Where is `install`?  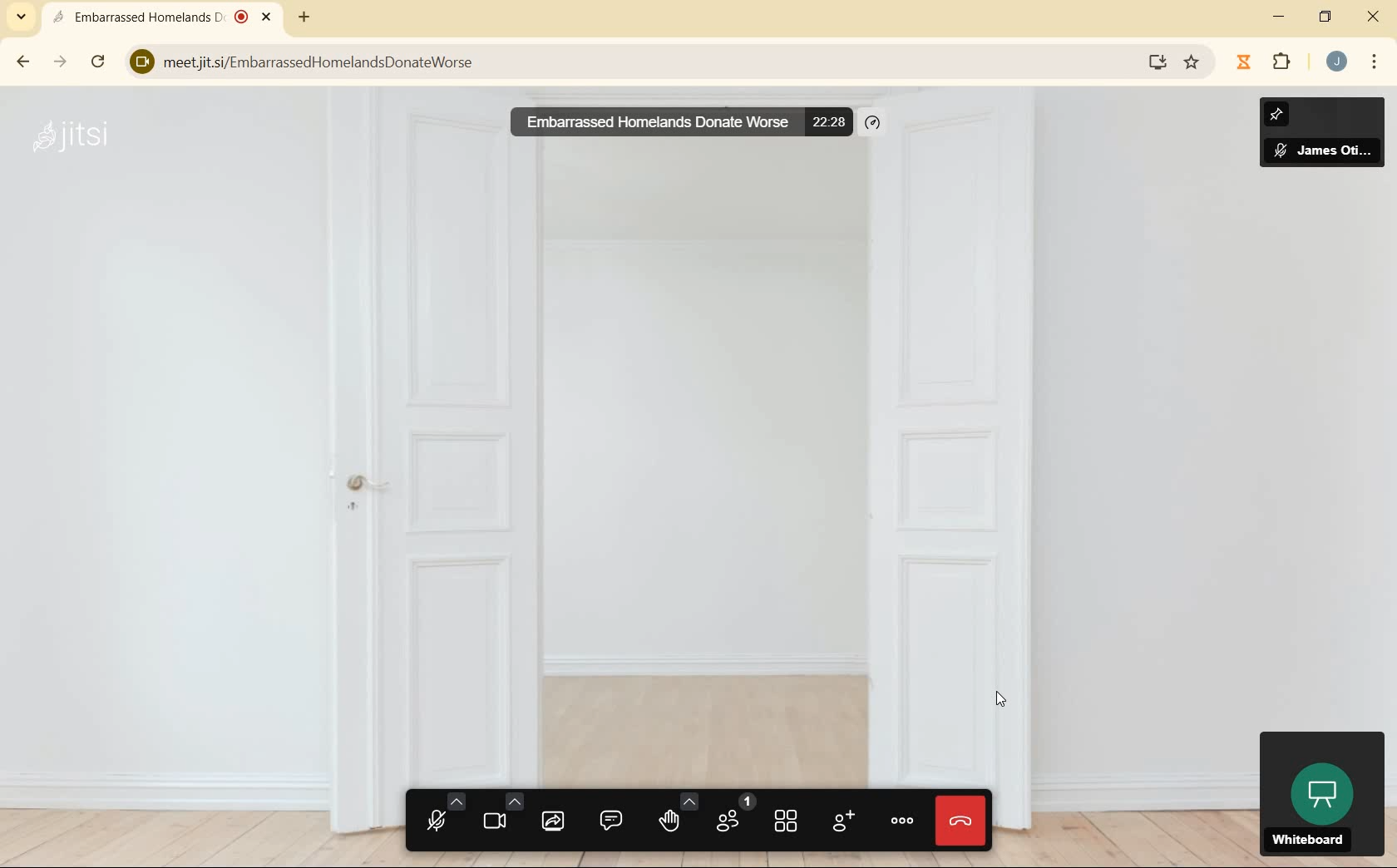 install is located at coordinates (1153, 64).